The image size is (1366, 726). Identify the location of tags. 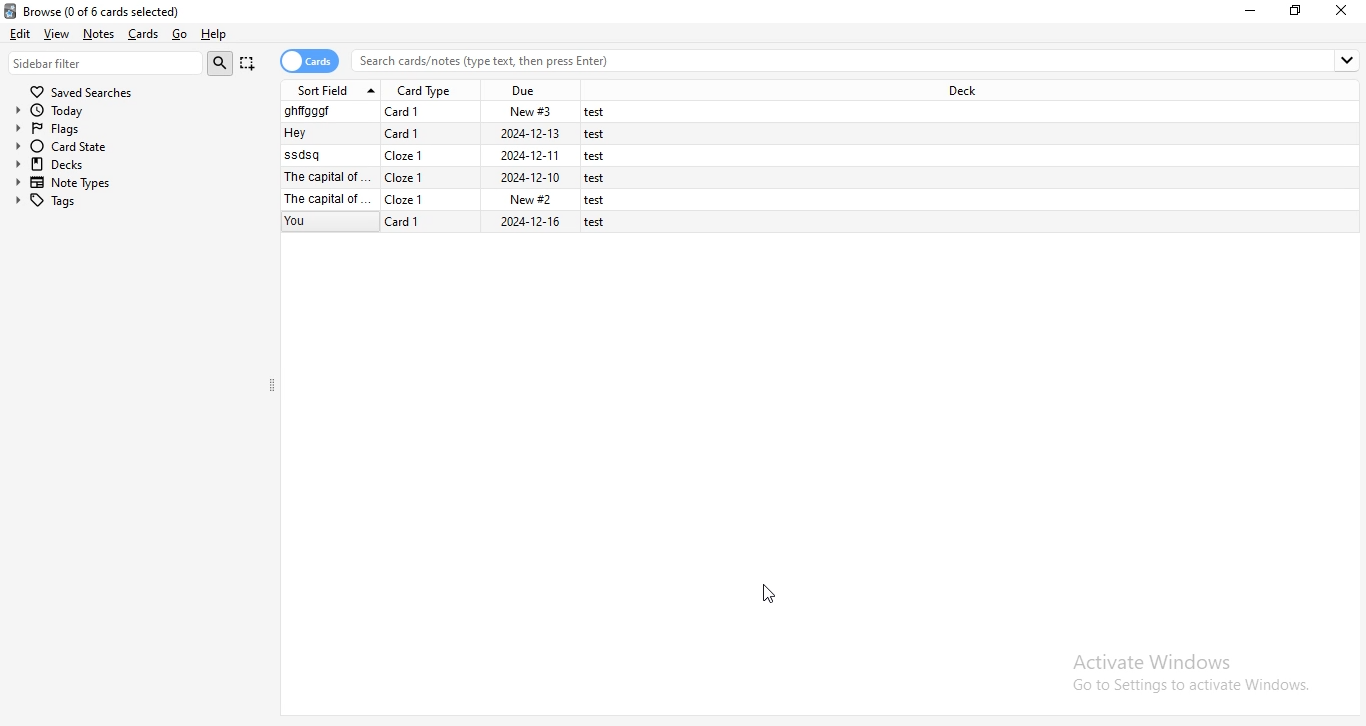
(135, 202).